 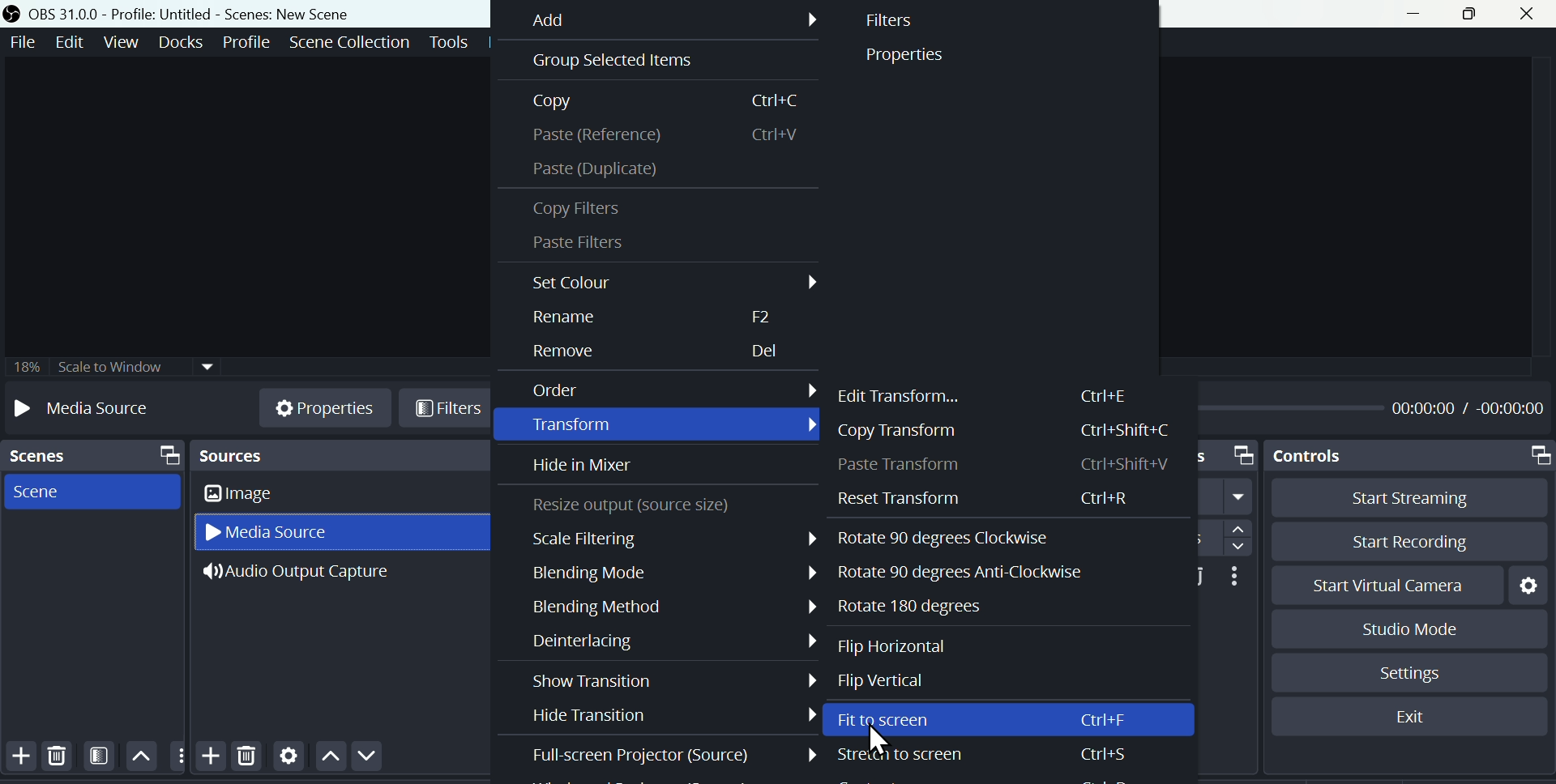 What do you see at coordinates (1528, 15) in the screenshot?
I see `close` at bounding box center [1528, 15].